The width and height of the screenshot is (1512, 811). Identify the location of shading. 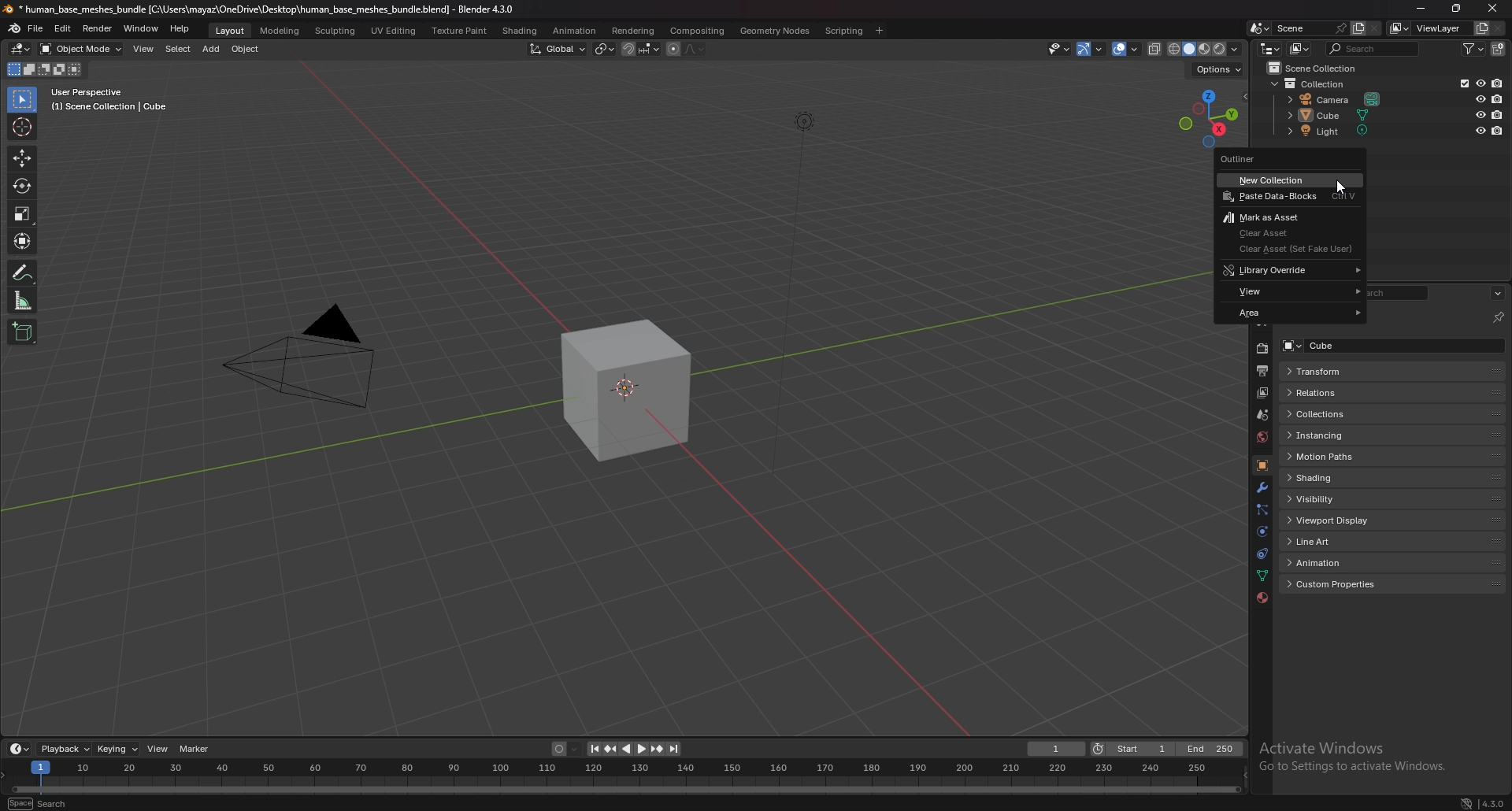
(521, 31).